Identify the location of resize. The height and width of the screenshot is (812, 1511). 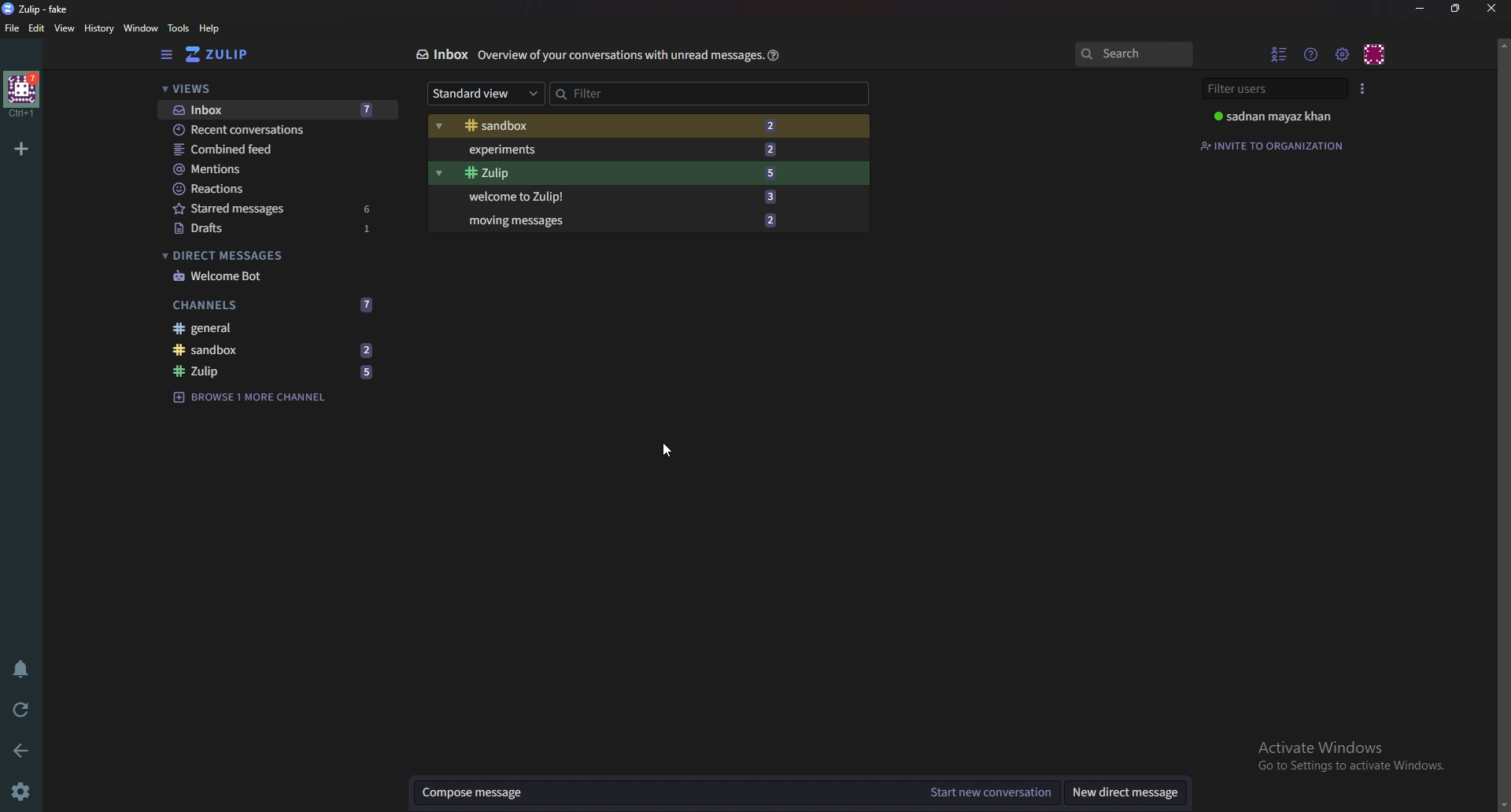
(1454, 9).